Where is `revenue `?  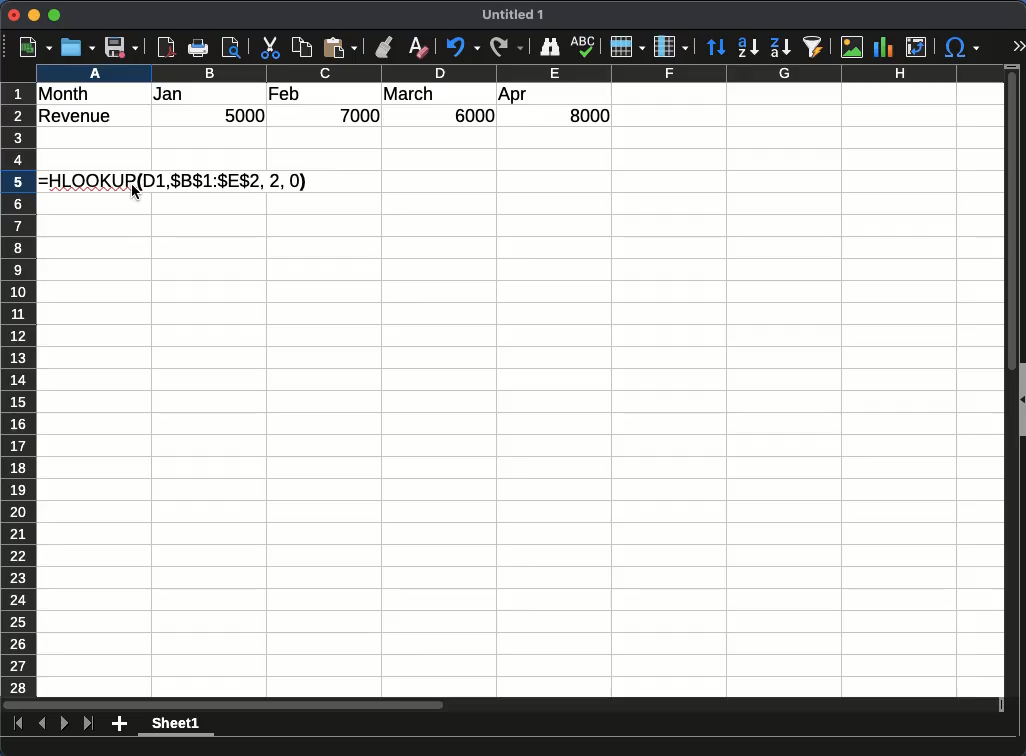 revenue  is located at coordinates (76, 116).